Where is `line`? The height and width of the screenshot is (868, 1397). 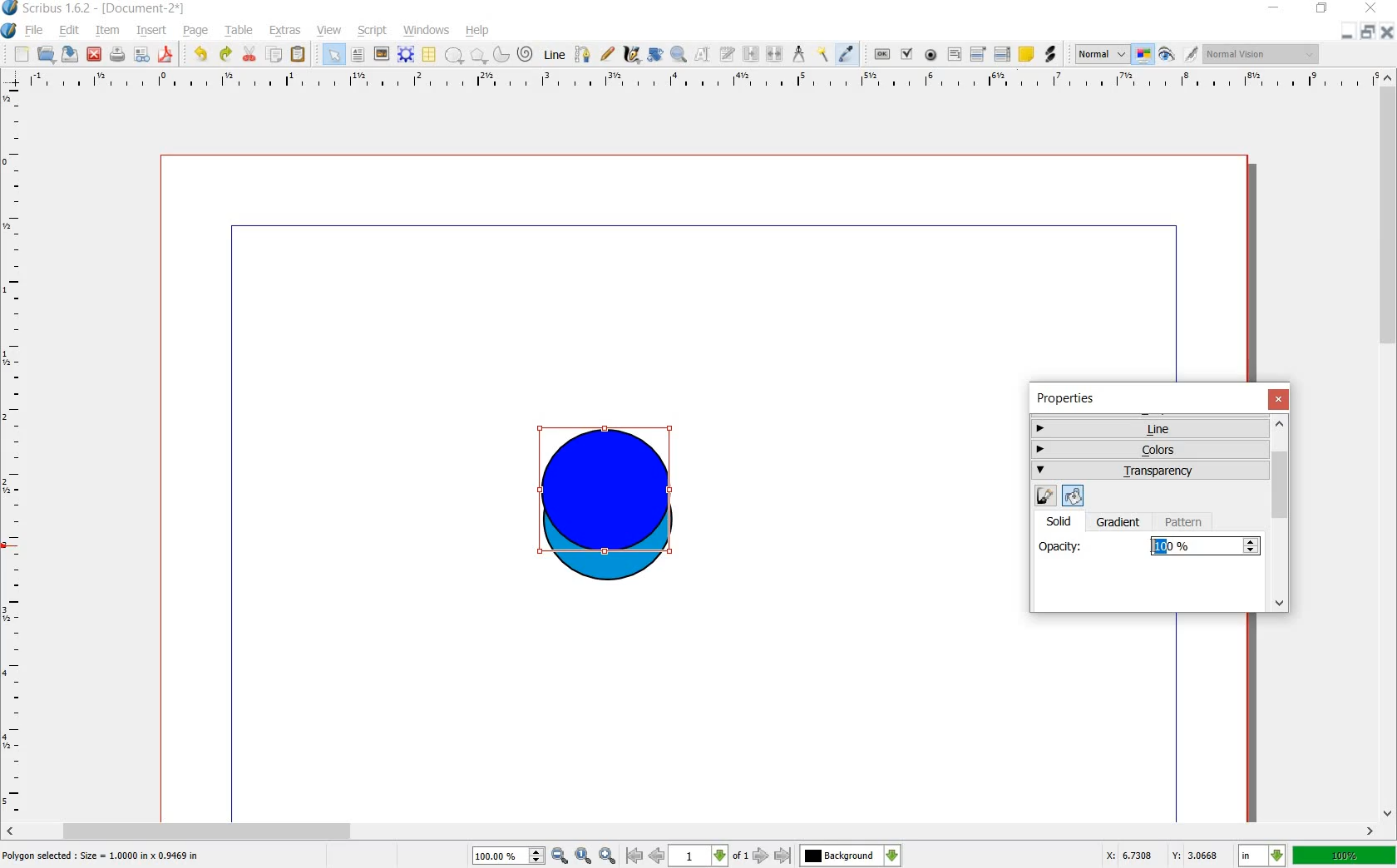 line is located at coordinates (553, 56).